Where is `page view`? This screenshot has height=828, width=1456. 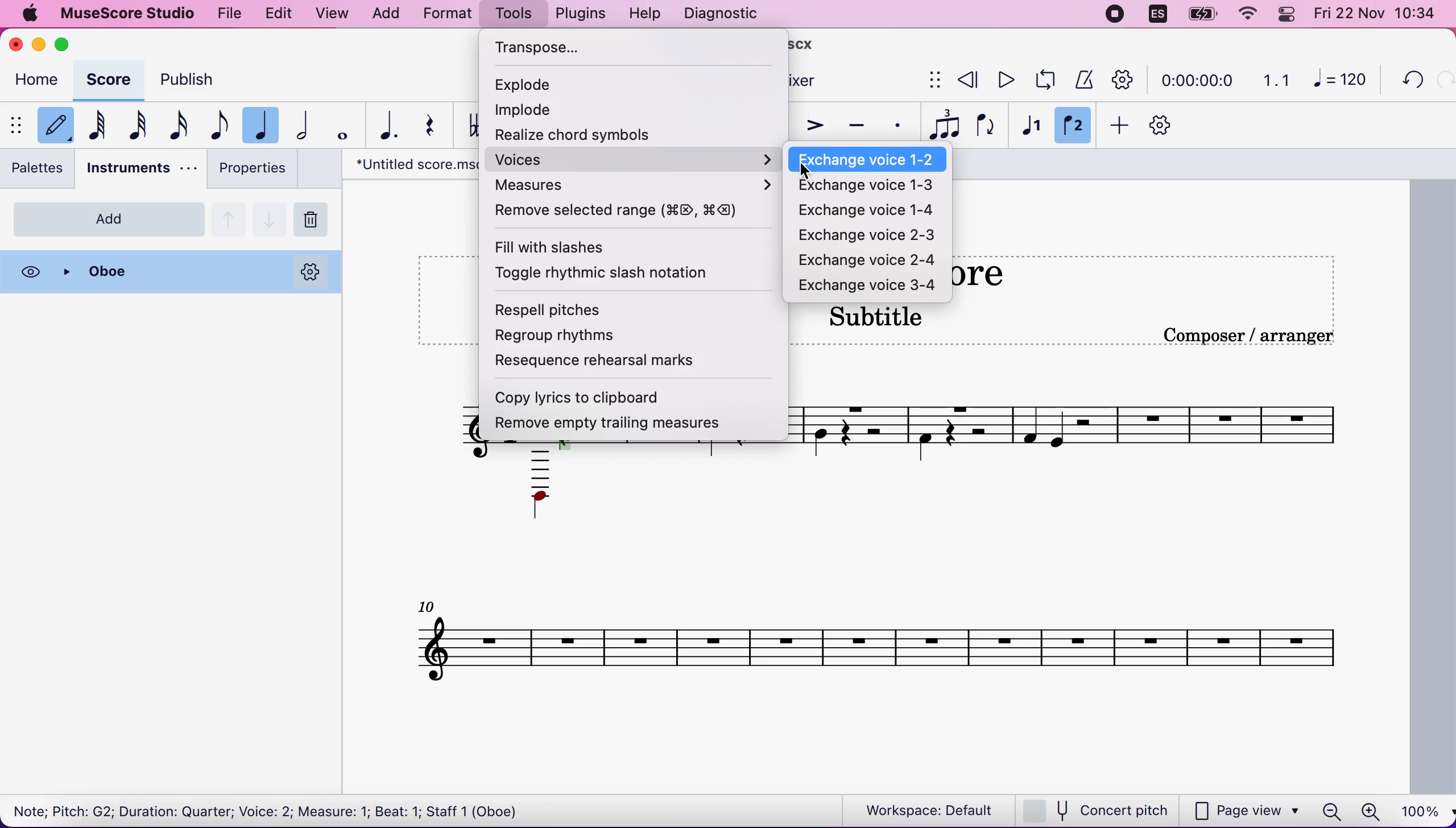 page view is located at coordinates (1248, 810).